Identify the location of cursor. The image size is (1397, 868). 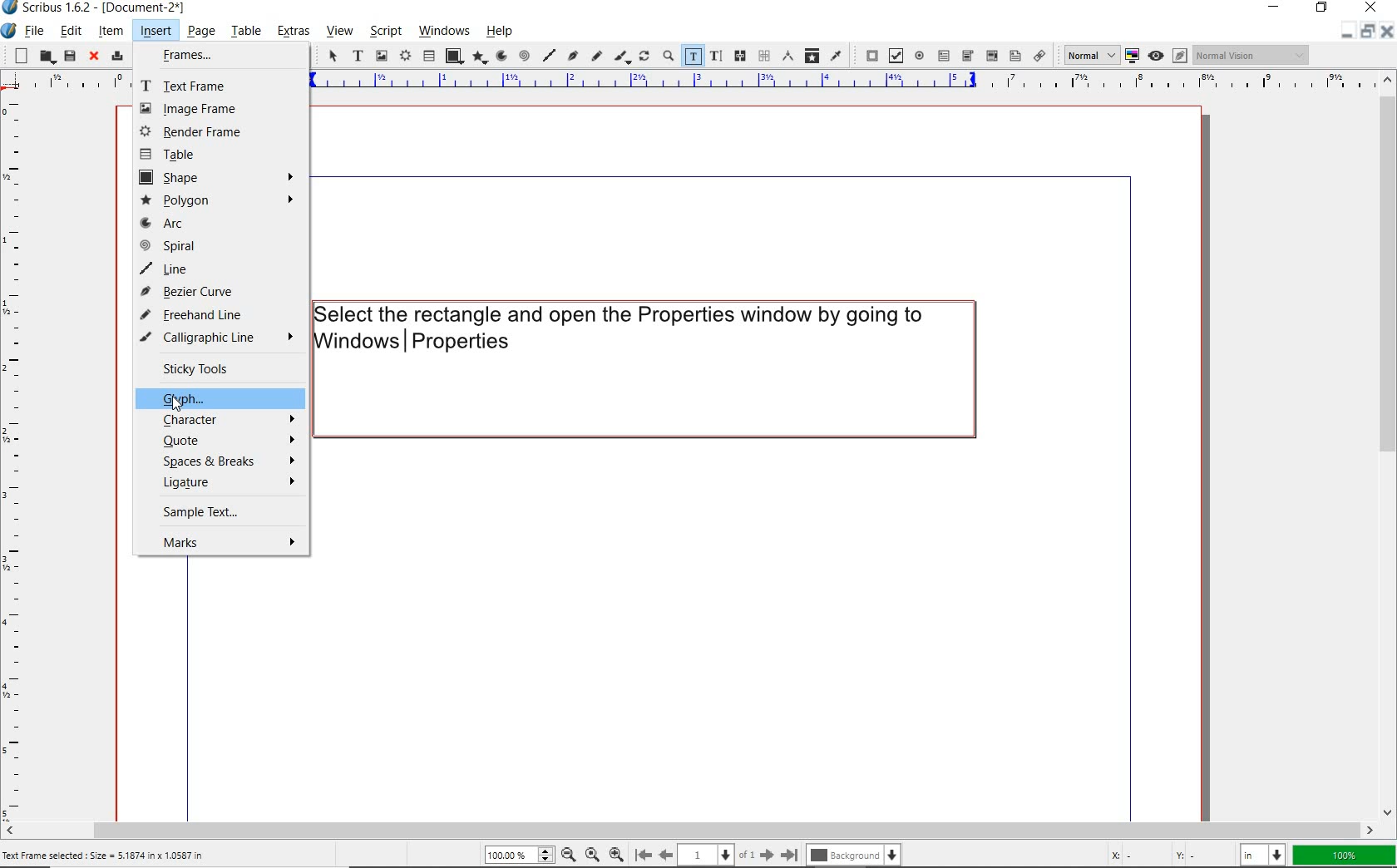
(180, 405).